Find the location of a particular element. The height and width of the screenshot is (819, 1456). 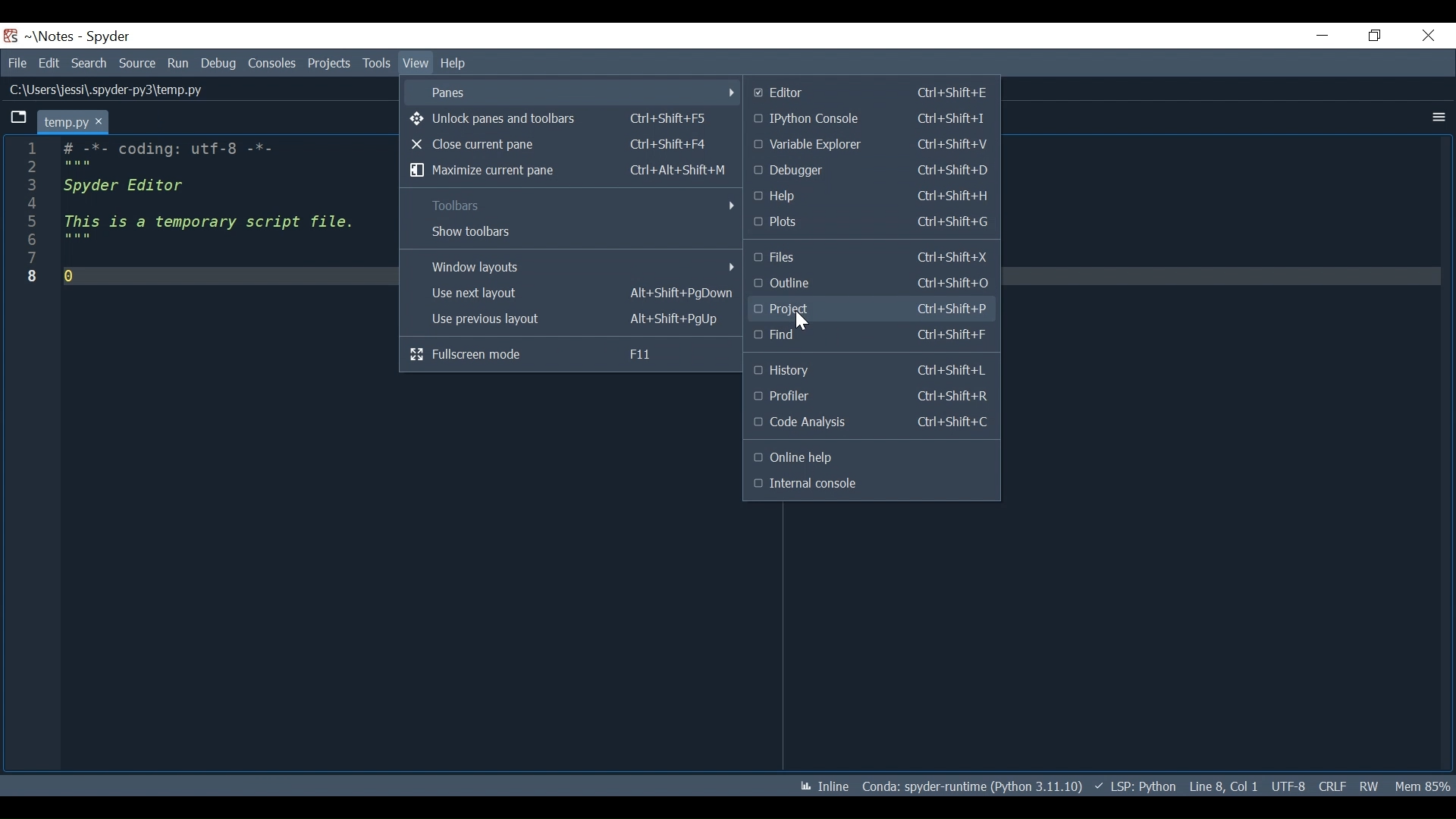

C:\Users\jessi\.spyaer-pys\temp.py is located at coordinates (127, 91).